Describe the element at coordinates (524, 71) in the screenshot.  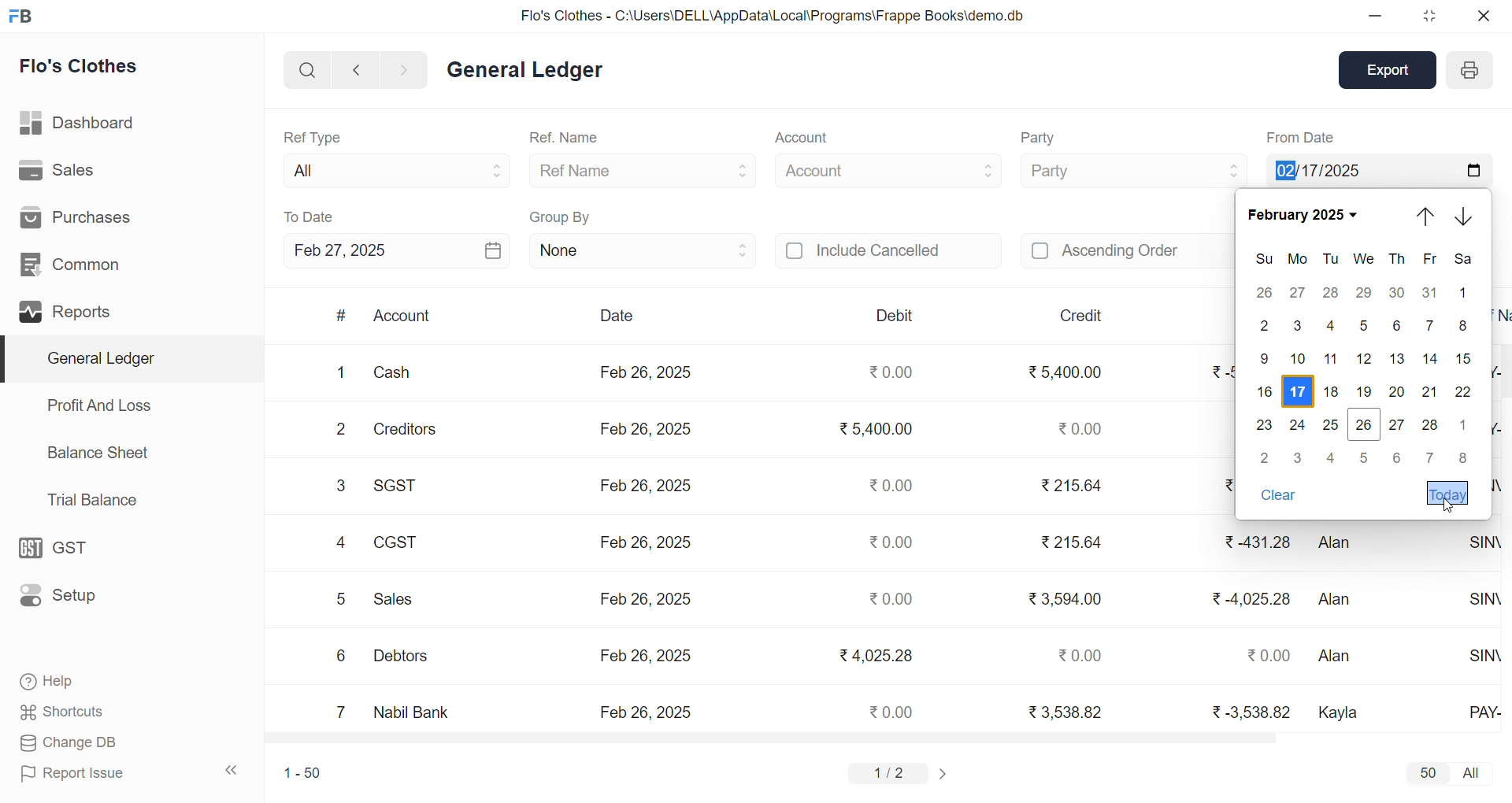
I see `General Ledger` at that location.